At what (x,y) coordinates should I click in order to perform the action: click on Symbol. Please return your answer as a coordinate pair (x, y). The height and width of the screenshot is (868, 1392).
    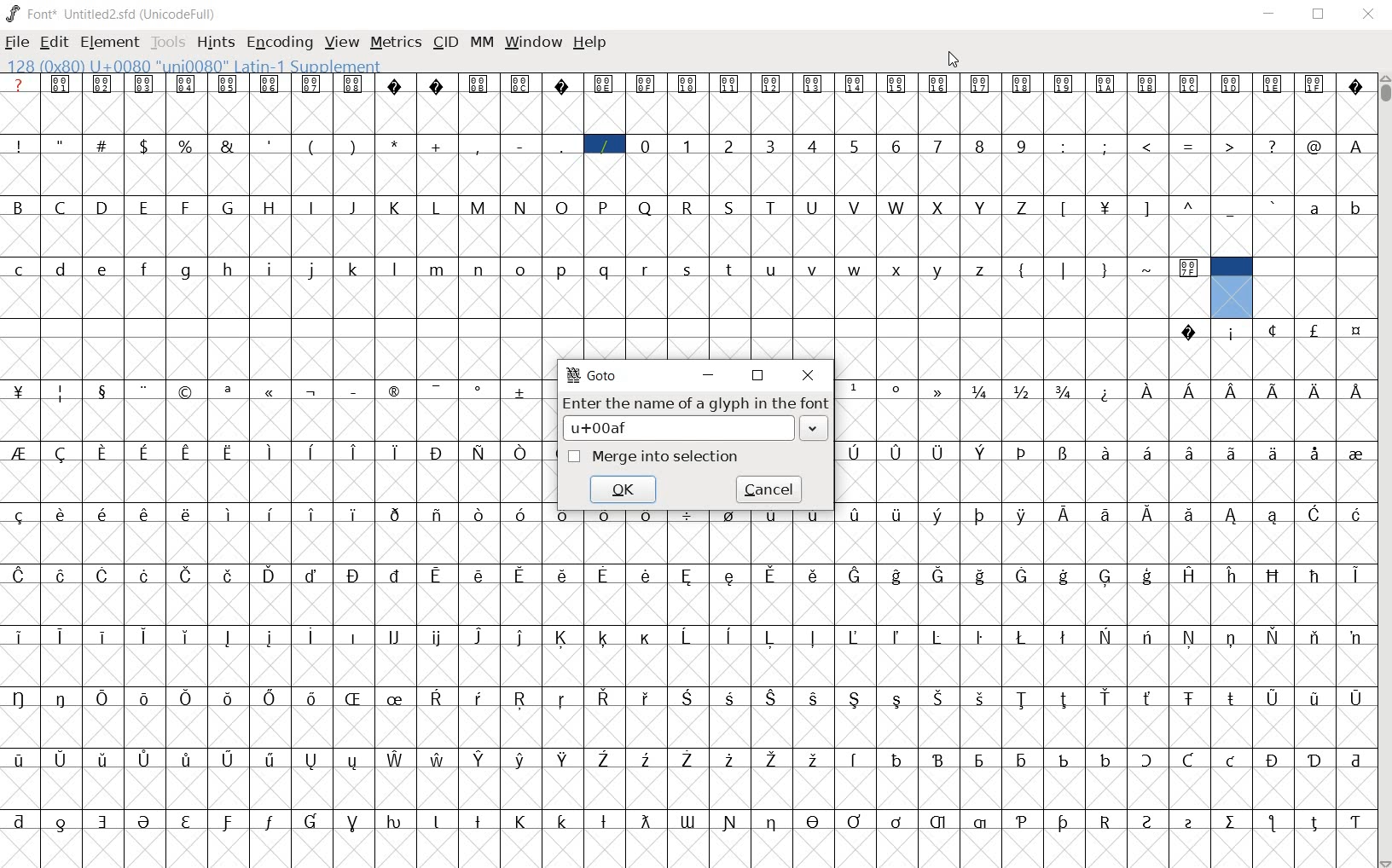
    Looking at the image, I should click on (524, 819).